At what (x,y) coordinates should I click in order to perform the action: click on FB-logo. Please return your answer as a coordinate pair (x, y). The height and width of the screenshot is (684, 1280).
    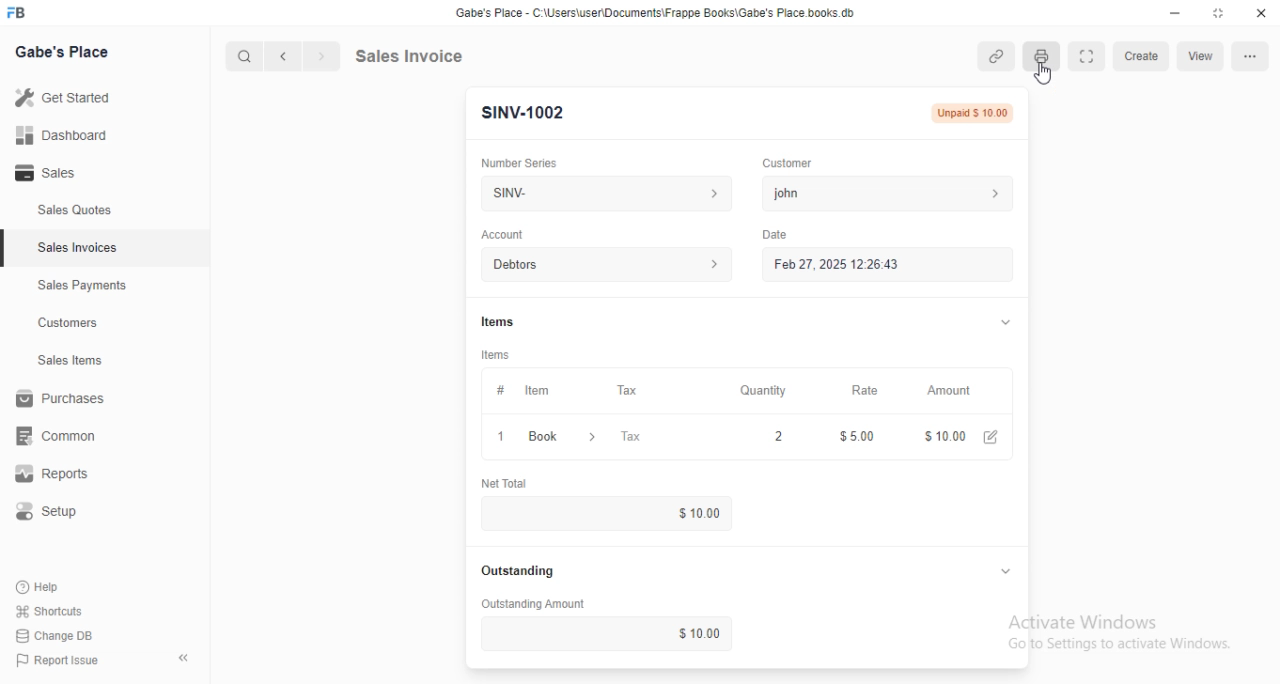
    Looking at the image, I should click on (15, 12).